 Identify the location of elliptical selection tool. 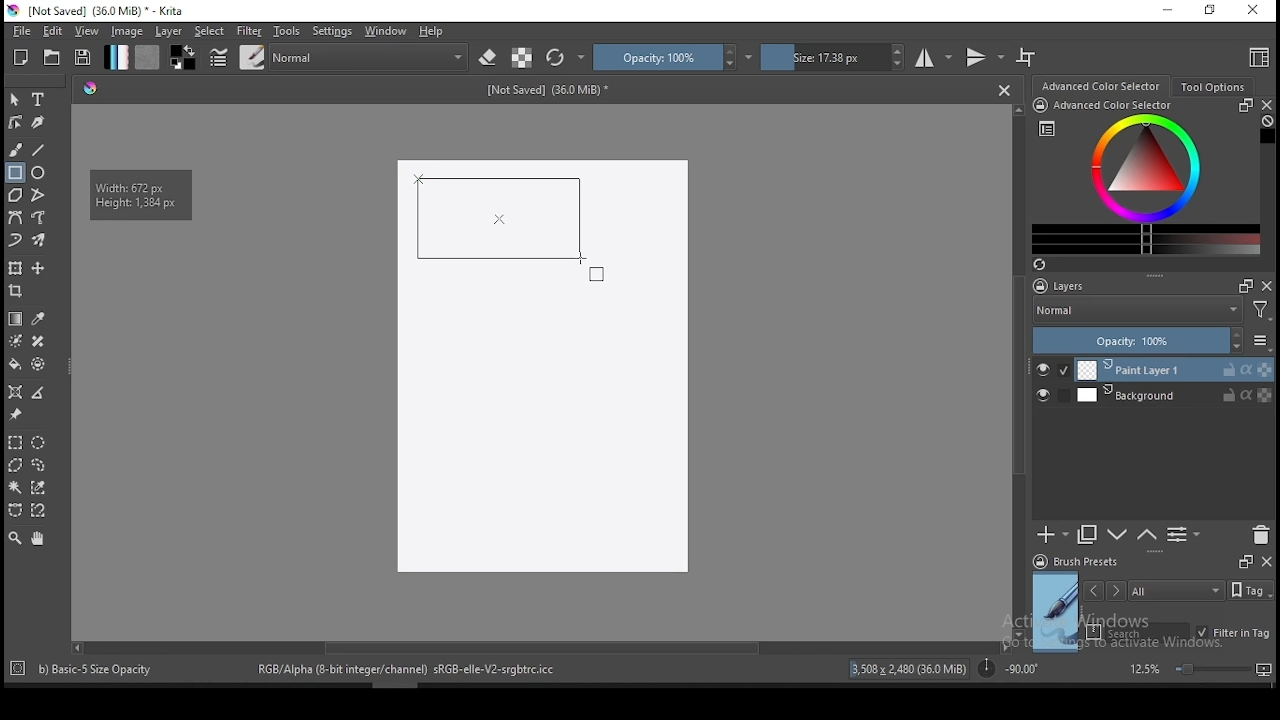
(38, 443).